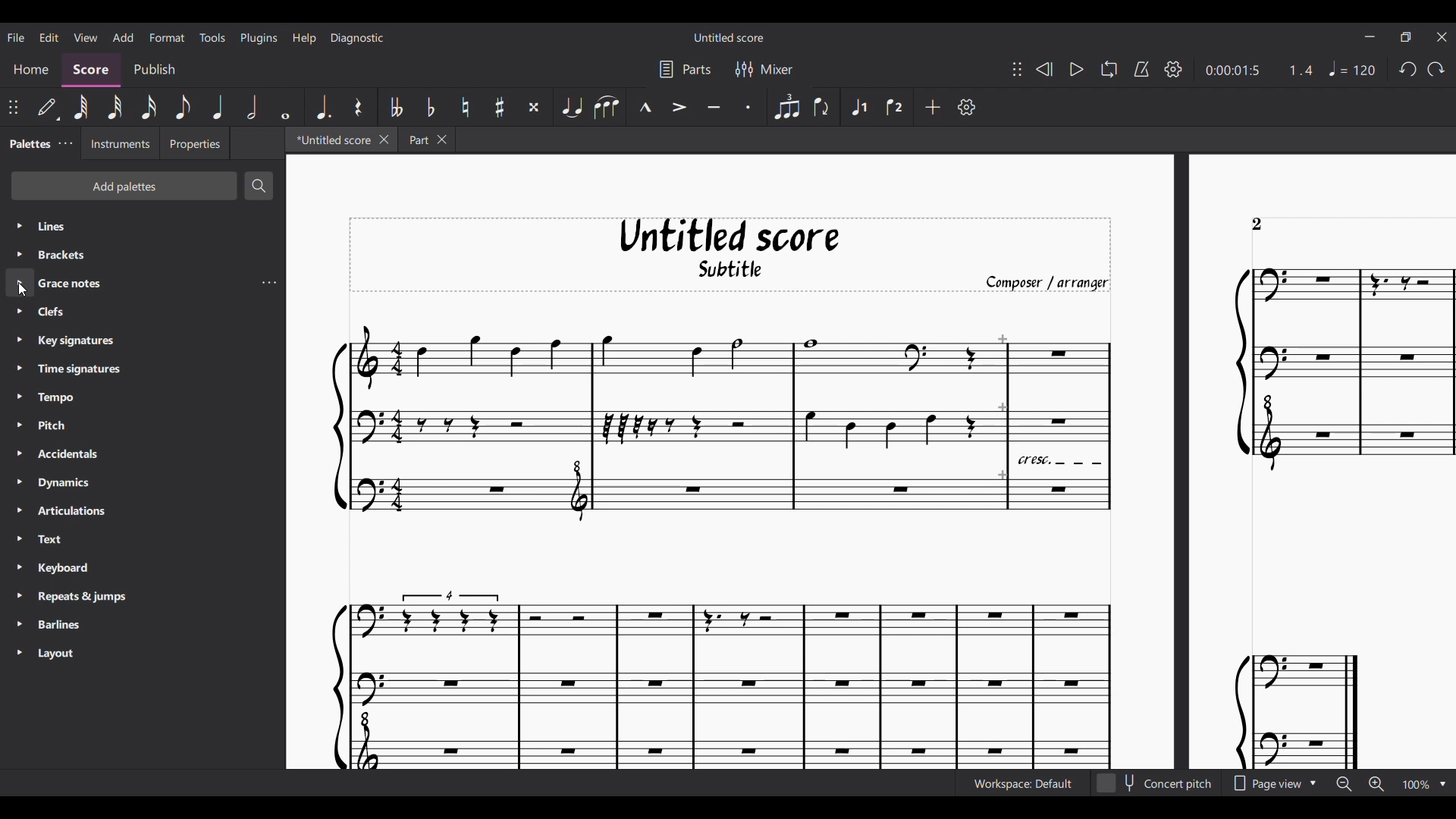 The image size is (1456, 819). What do you see at coordinates (1109, 69) in the screenshot?
I see `Looping playback` at bounding box center [1109, 69].